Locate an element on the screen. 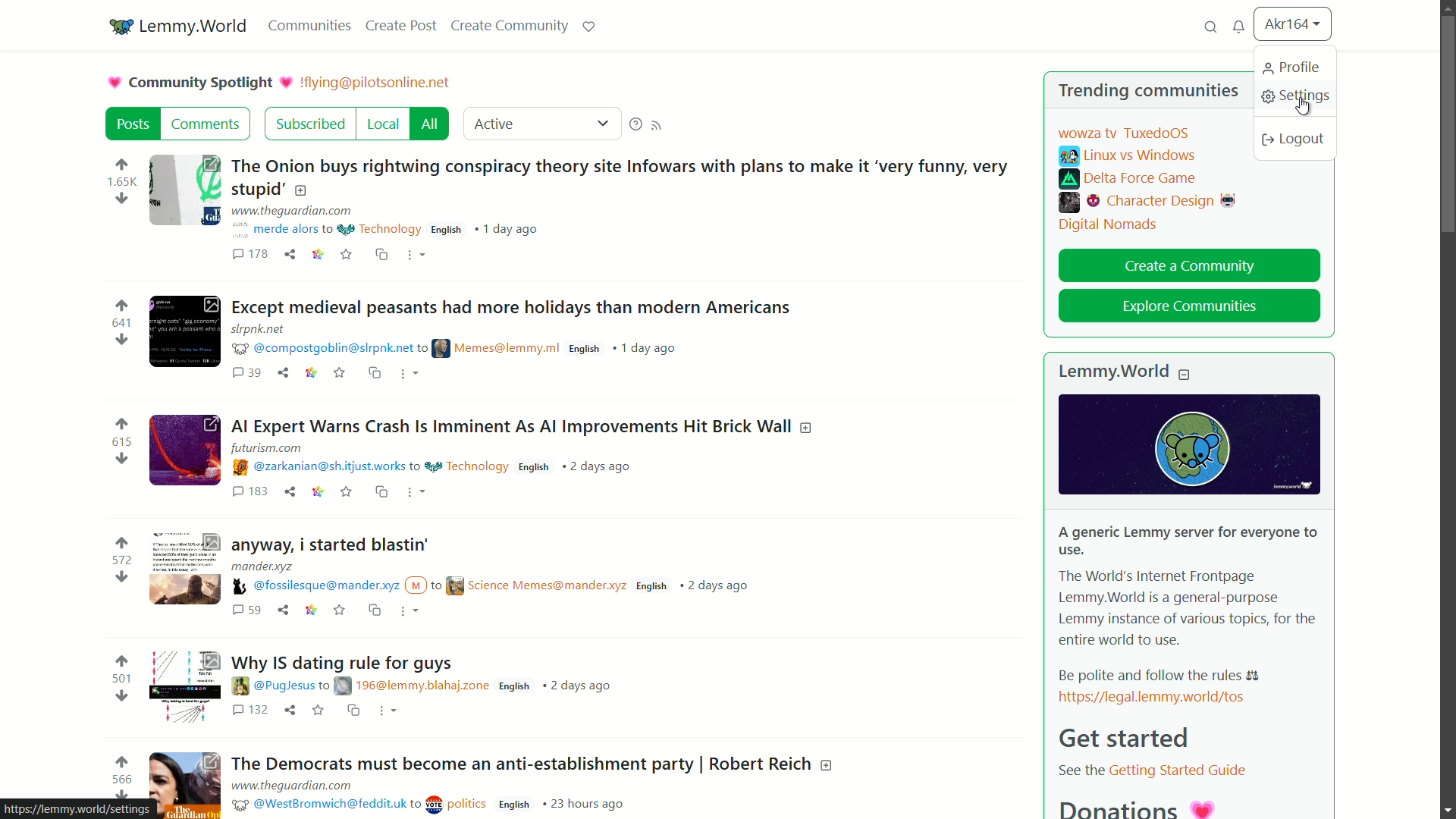  lemmyworld is located at coordinates (1115, 372).